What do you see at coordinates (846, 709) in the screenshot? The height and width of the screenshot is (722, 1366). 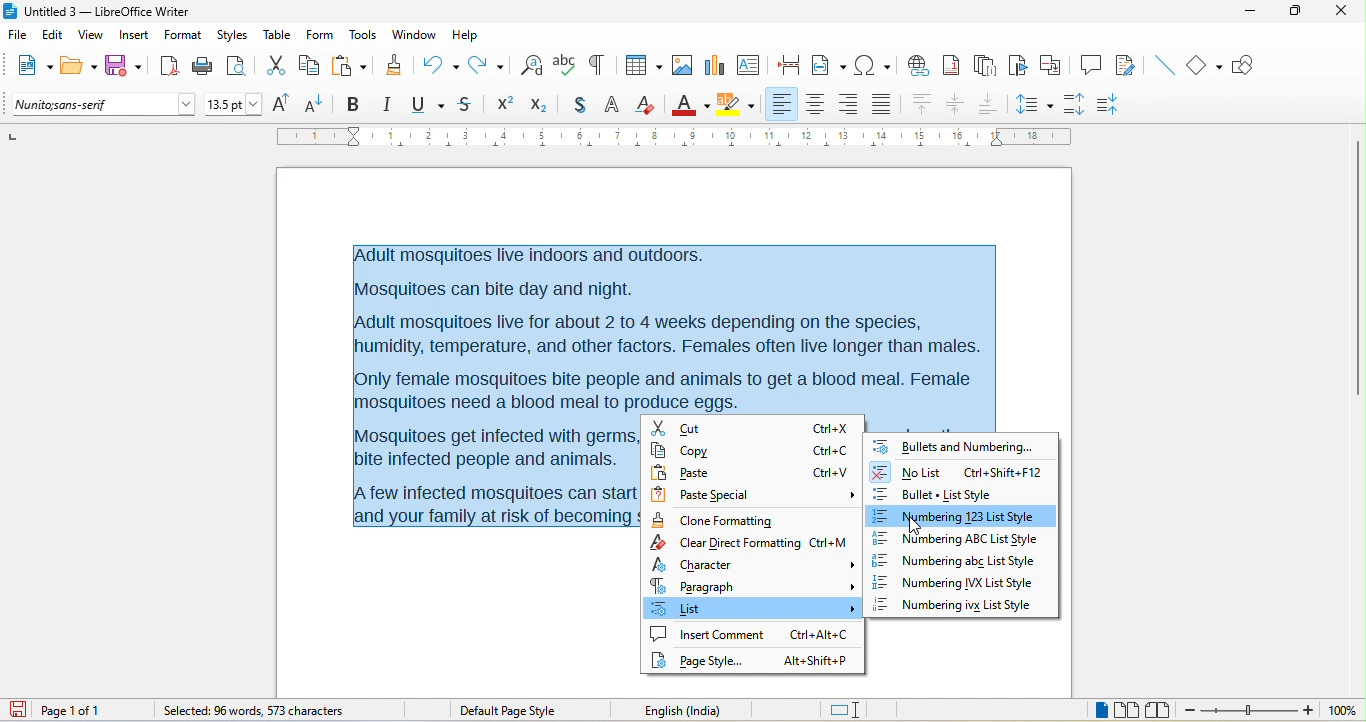 I see `standard selection` at bounding box center [846, 709].